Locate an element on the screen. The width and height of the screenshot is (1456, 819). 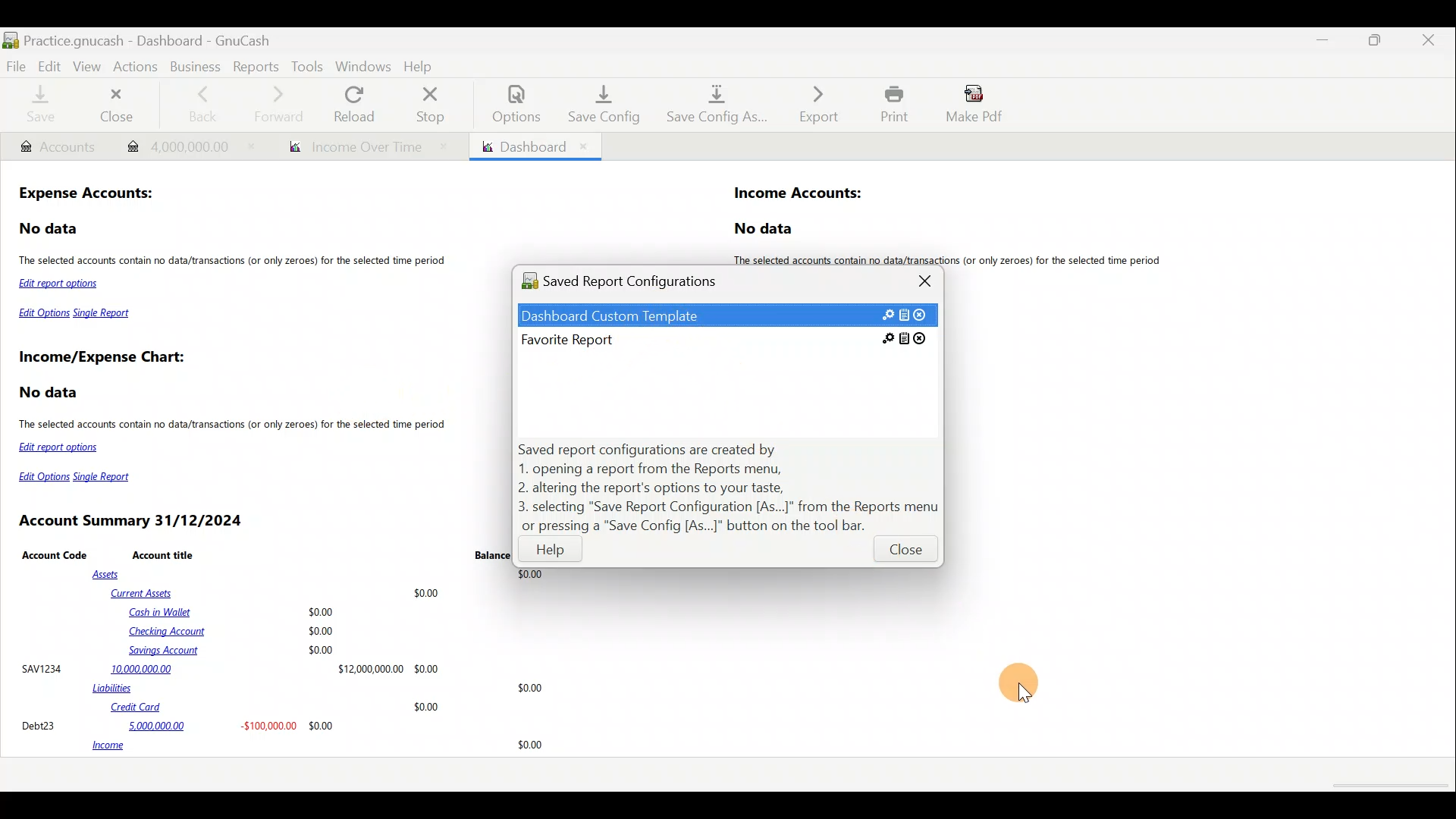
Income Accounts: is located at coordinates (799, 194).